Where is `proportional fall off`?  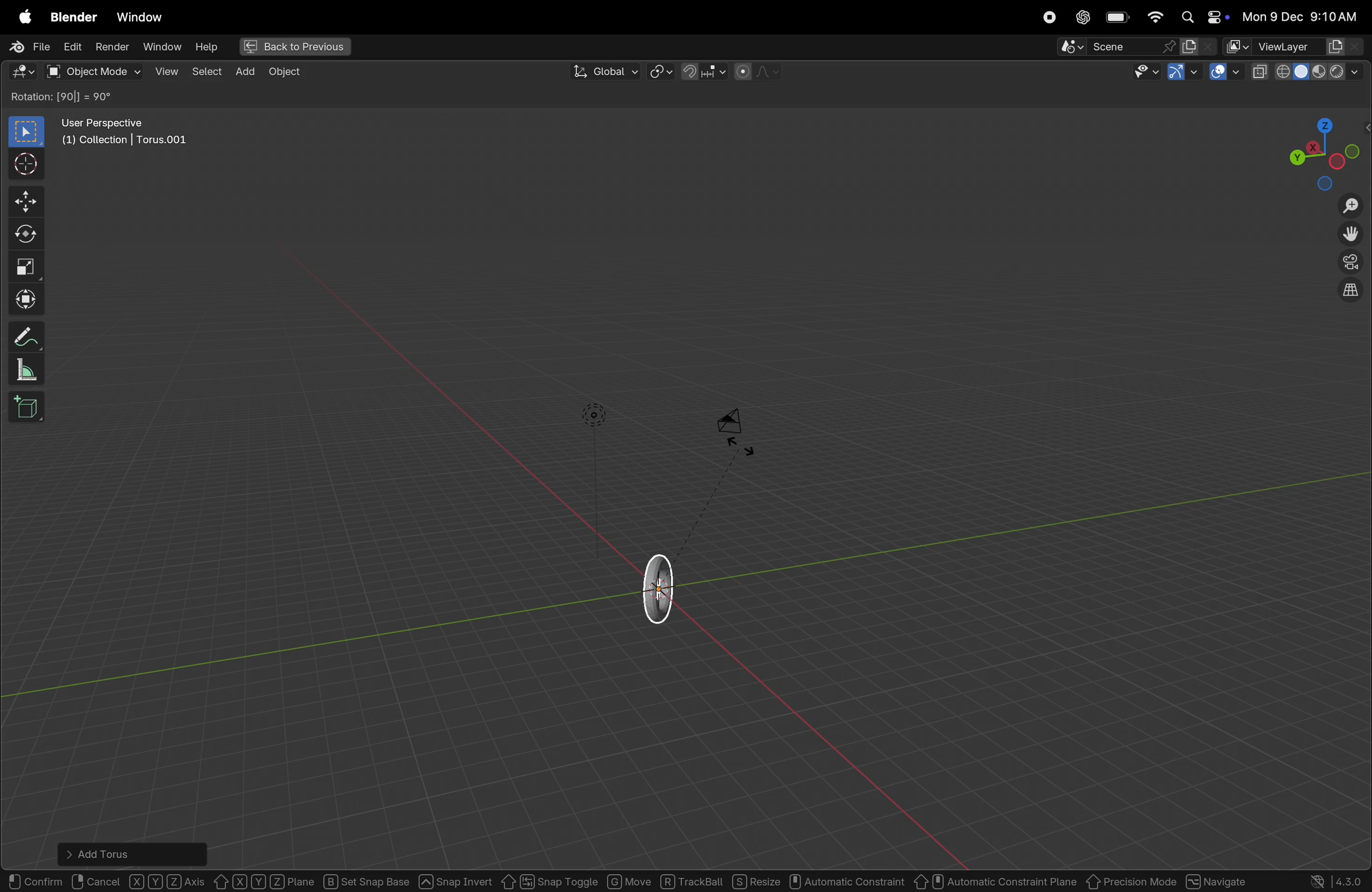
proportional fall off is located at coordinates (756, 71).